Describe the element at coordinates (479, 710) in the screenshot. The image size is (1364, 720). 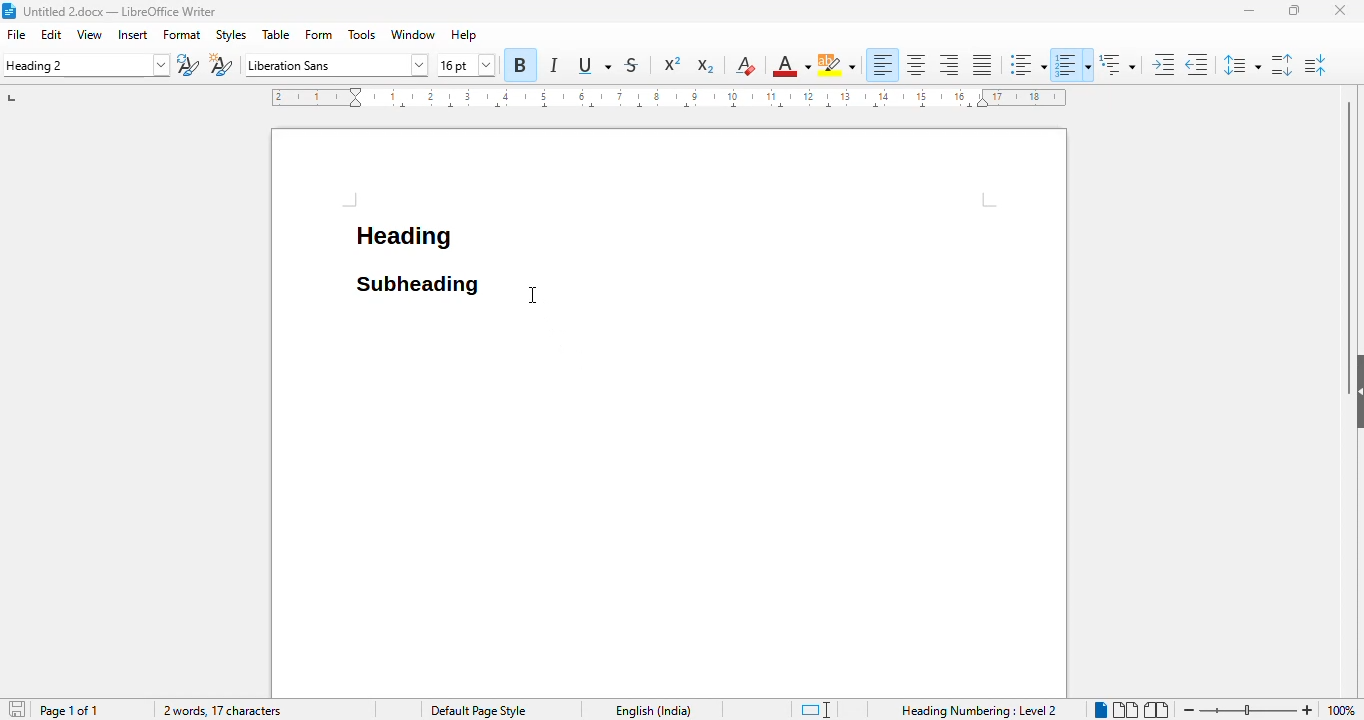
I see `page style` at that location.